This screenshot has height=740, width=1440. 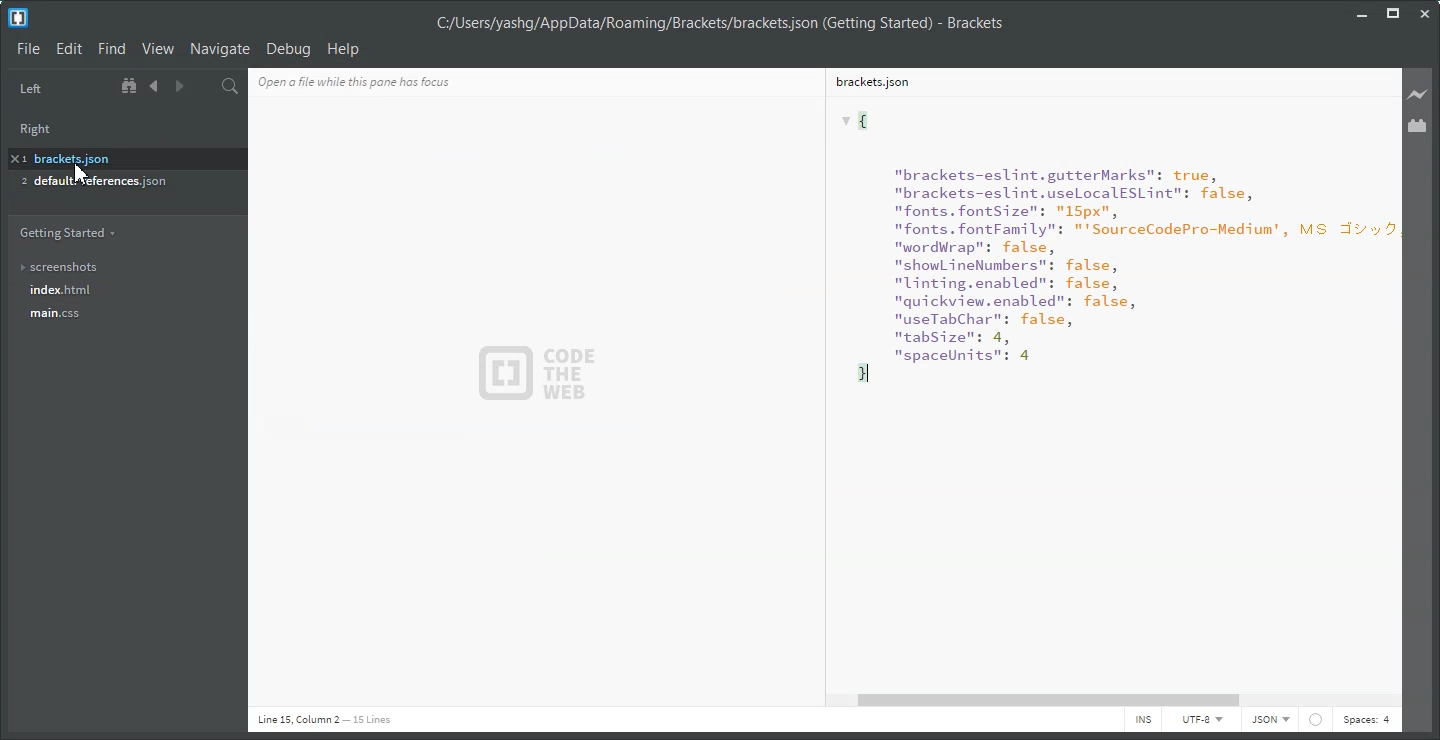 What do you see at coordinates (121, 319) in the screenshot?
I see `main.css` at bounding box center [121, 319].